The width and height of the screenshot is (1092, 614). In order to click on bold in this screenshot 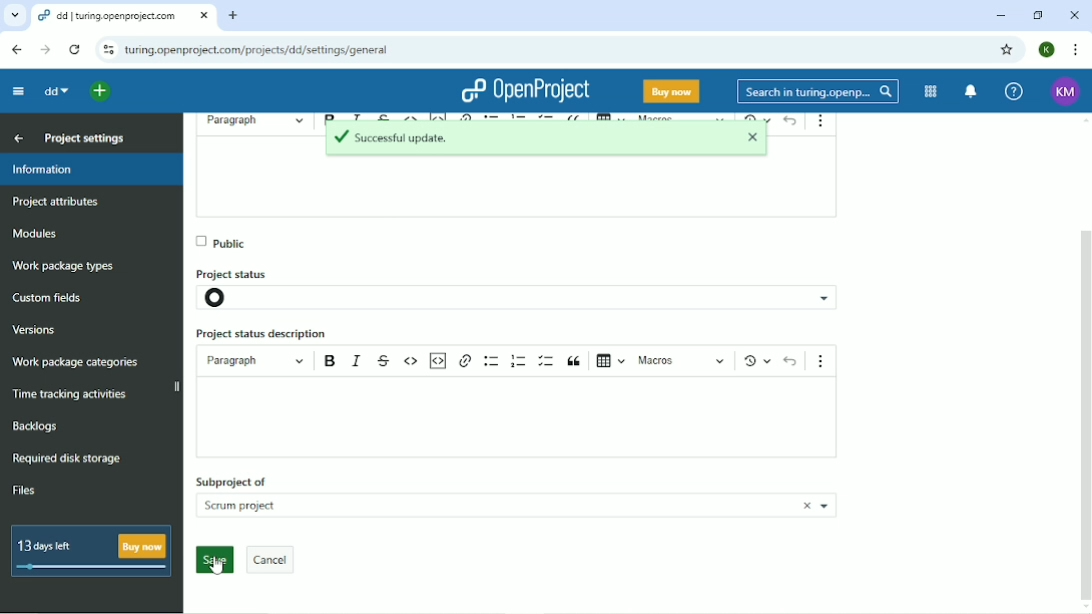, I will do `click(329, 358)`.